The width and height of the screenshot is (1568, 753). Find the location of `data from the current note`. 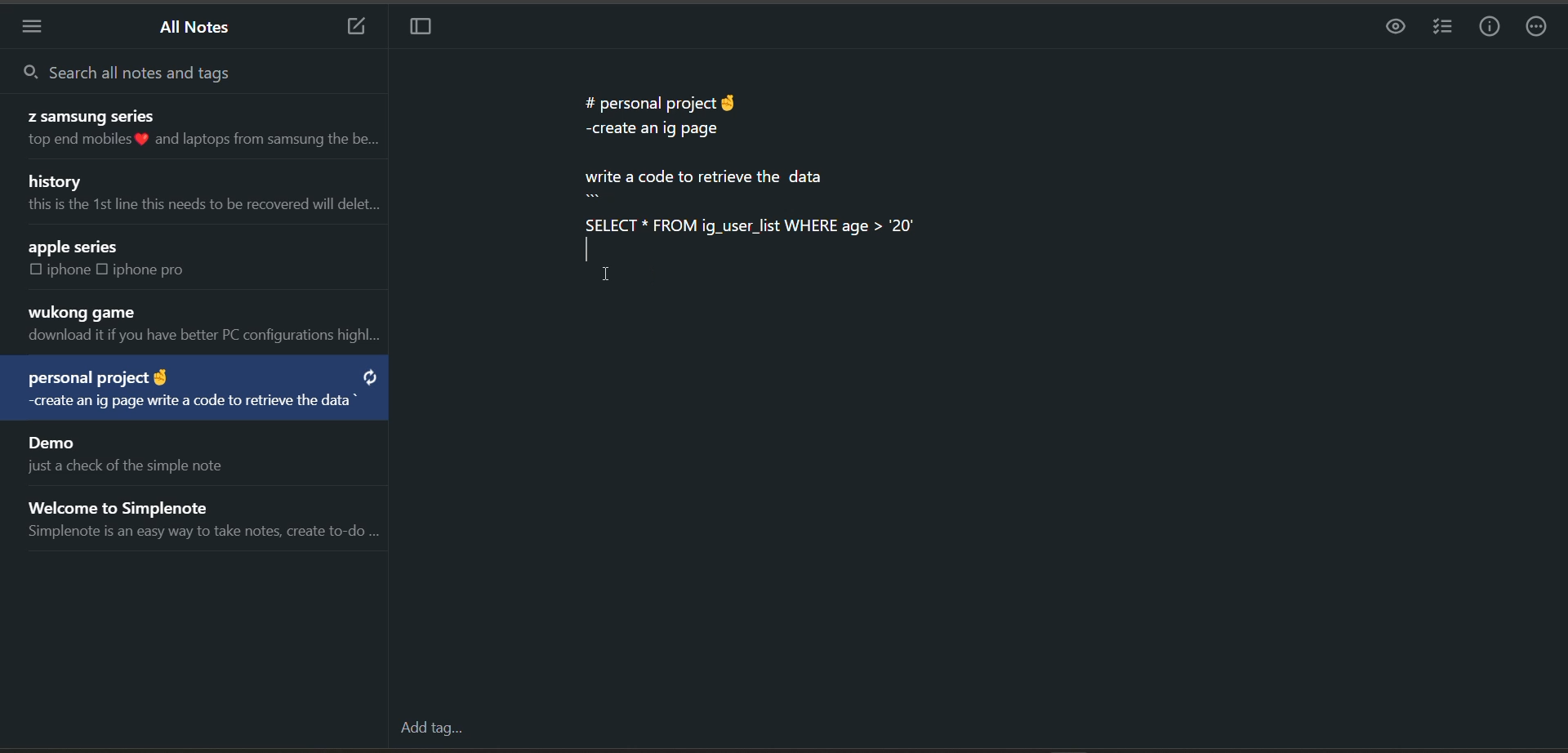

data from the current note is located at coordinates (749, 174).